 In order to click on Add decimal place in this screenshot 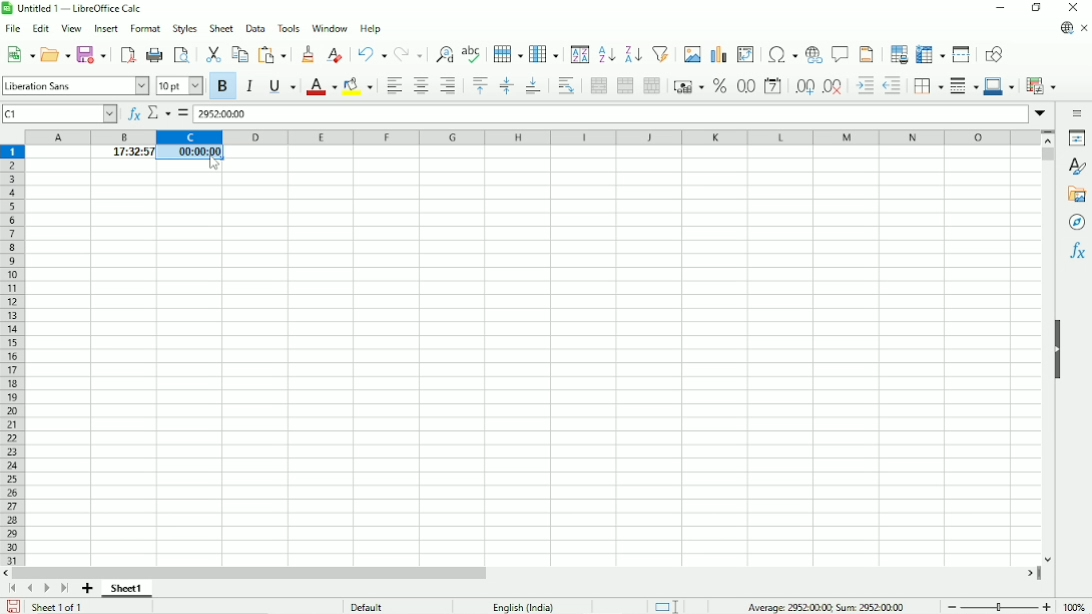, I will do `click(803, 89)`.